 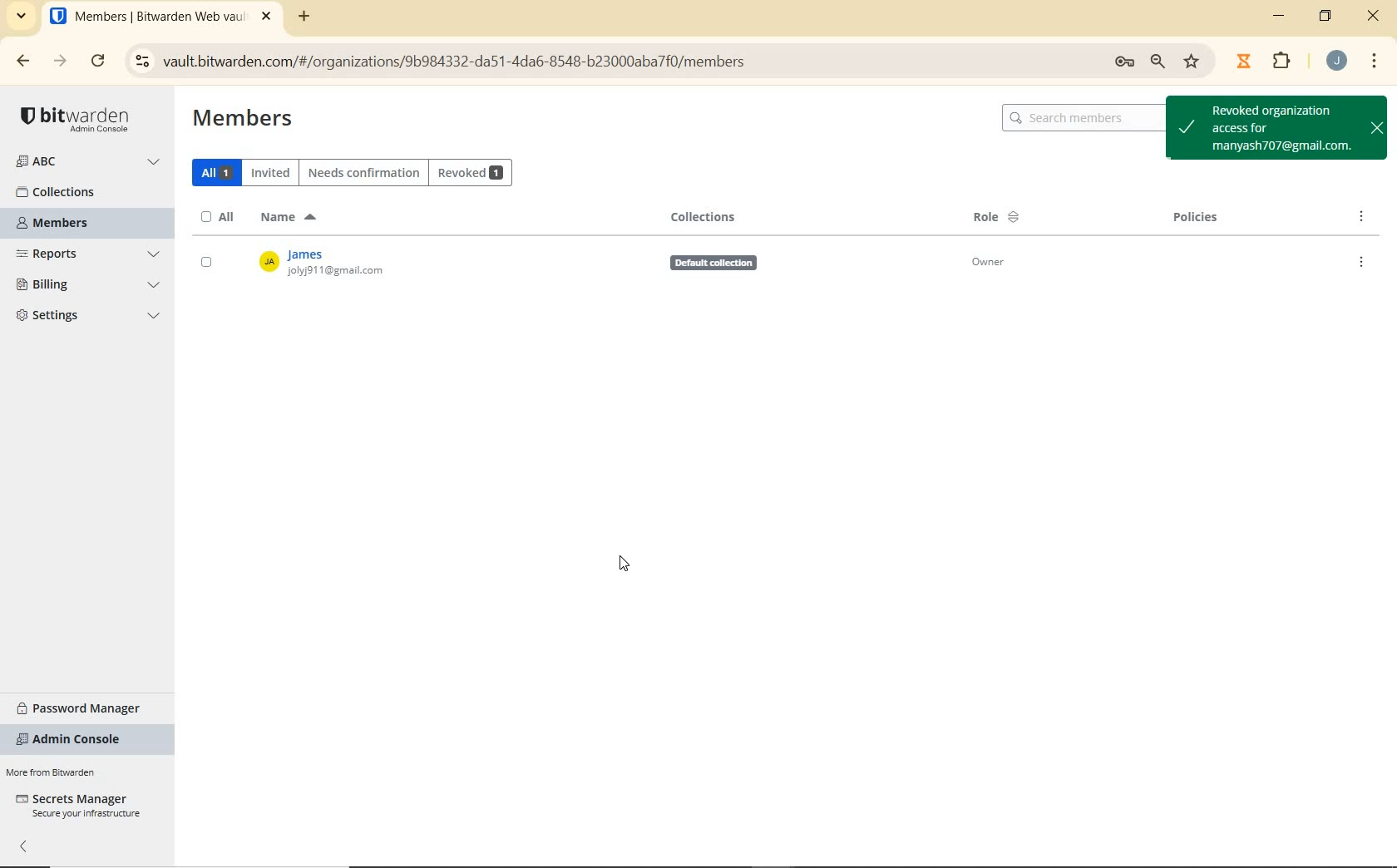 I want to click on SECRETS MANAGER, so click(x=77, y=806).